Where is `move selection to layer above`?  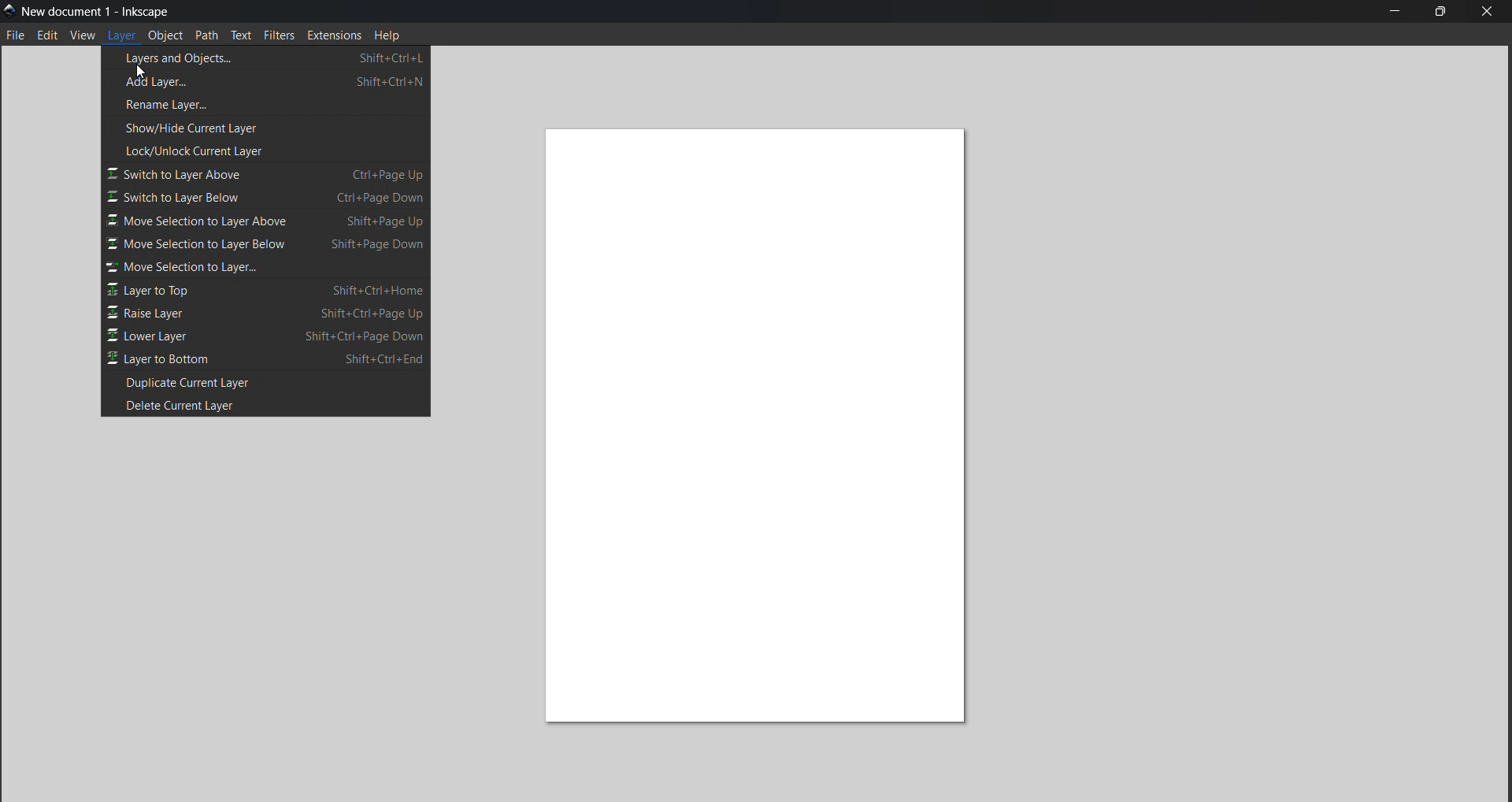
move selection to layer above is located at coordinates (265, 221).